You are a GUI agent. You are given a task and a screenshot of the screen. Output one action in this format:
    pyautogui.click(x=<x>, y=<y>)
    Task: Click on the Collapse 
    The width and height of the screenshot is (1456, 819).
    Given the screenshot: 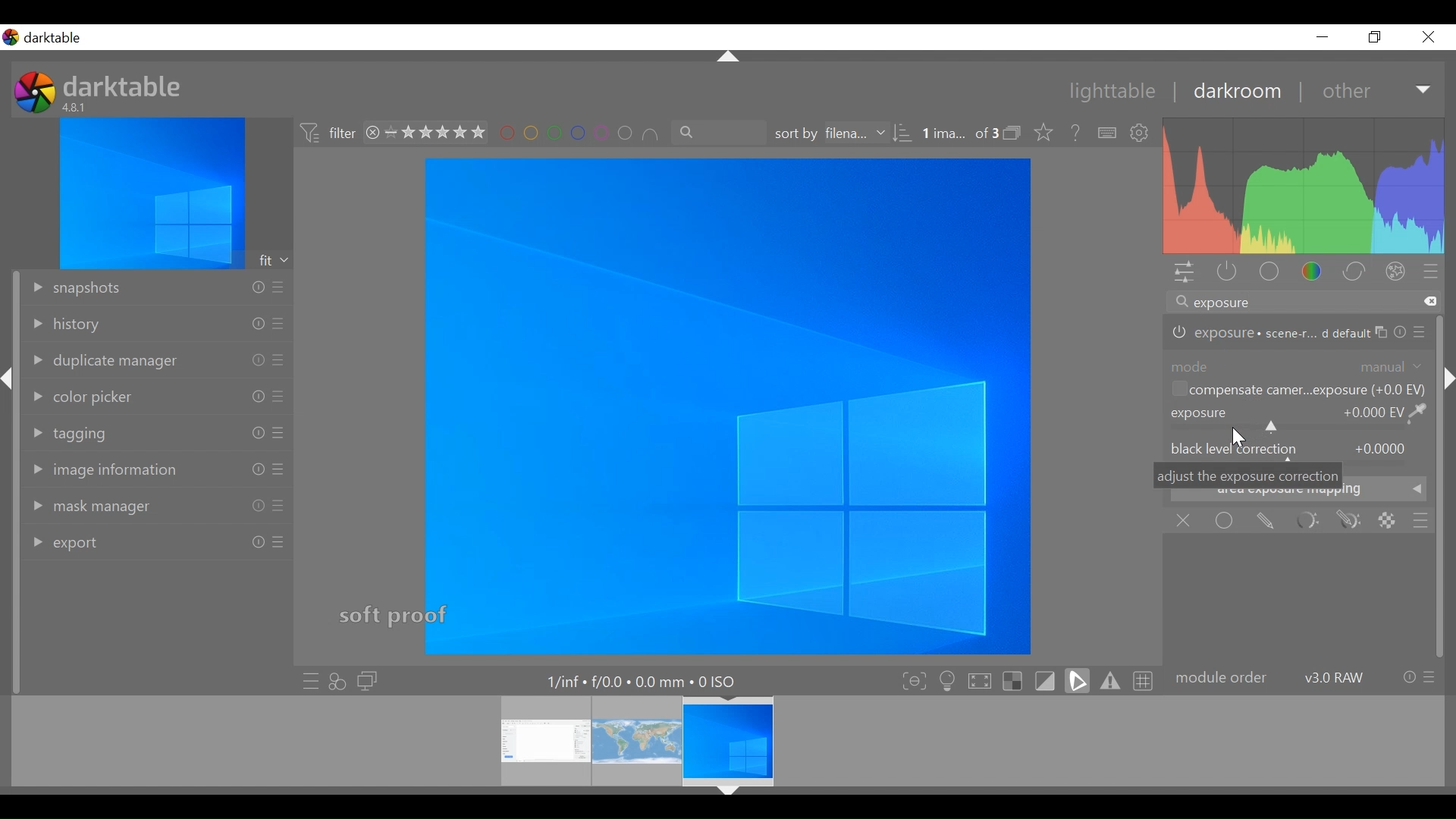 What is the action you would take?
    pyautogui.click(x=730, y=58)
    